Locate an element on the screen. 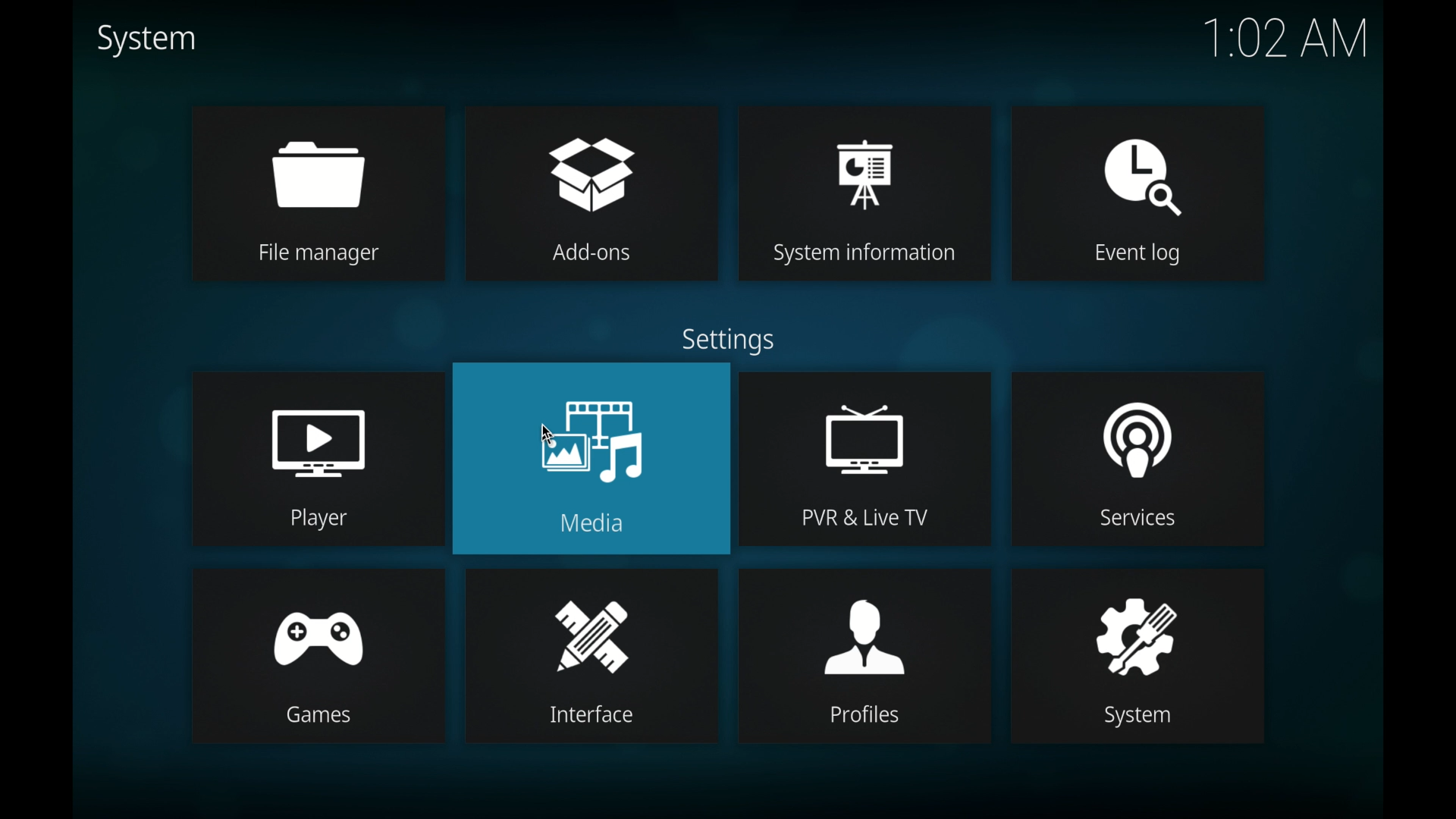 This screenshot has width=1456, height=819. PVR & Live TV is located at coordinates (868, 517).